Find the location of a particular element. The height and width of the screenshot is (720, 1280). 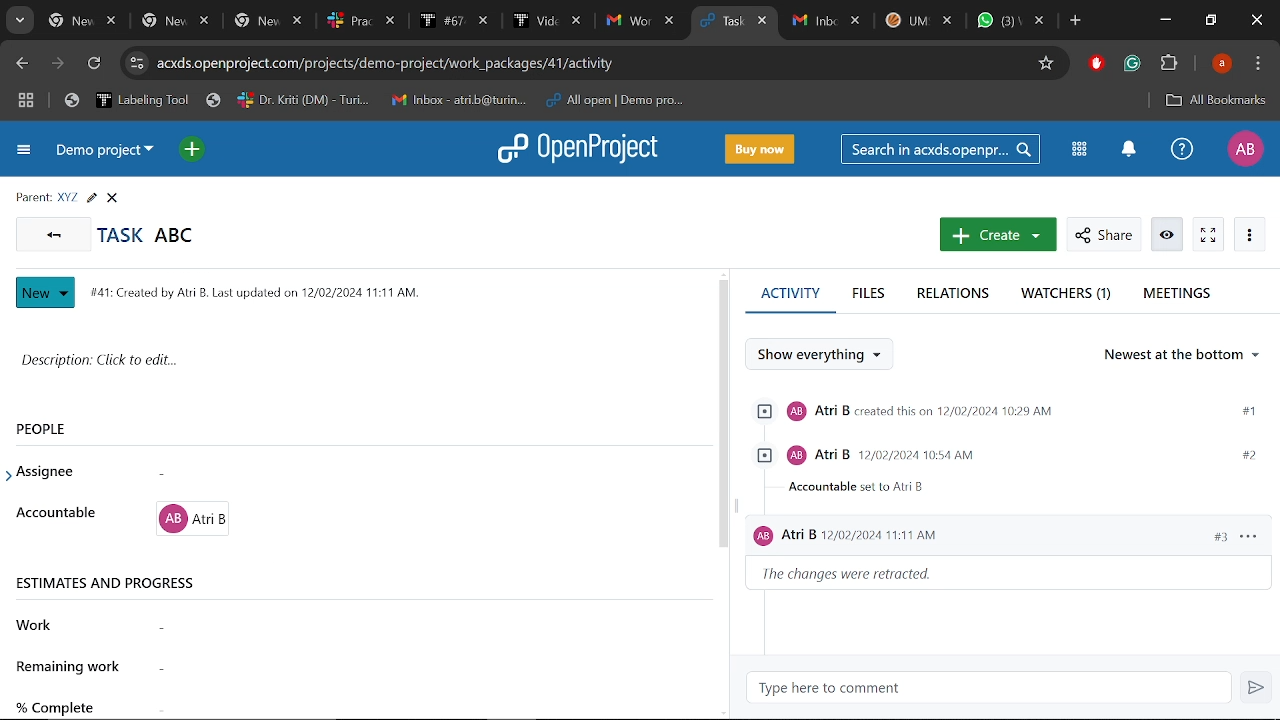

Grammarly is located at coordinates (1132, 65).